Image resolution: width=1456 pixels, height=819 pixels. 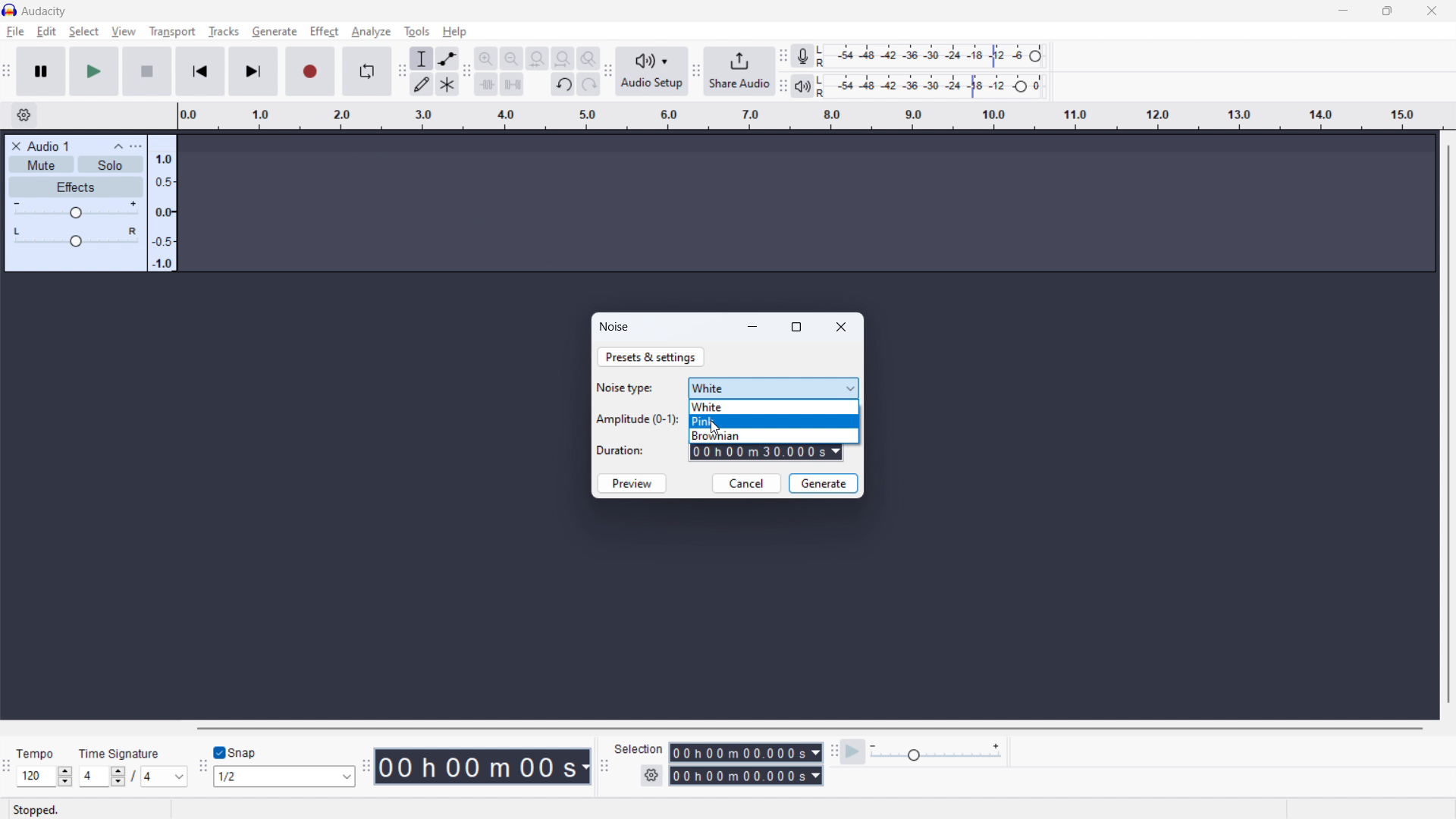 What do you see at coordinates (75, 237) in the screenshot?
I see `pan` at bounding box center [75, 237].